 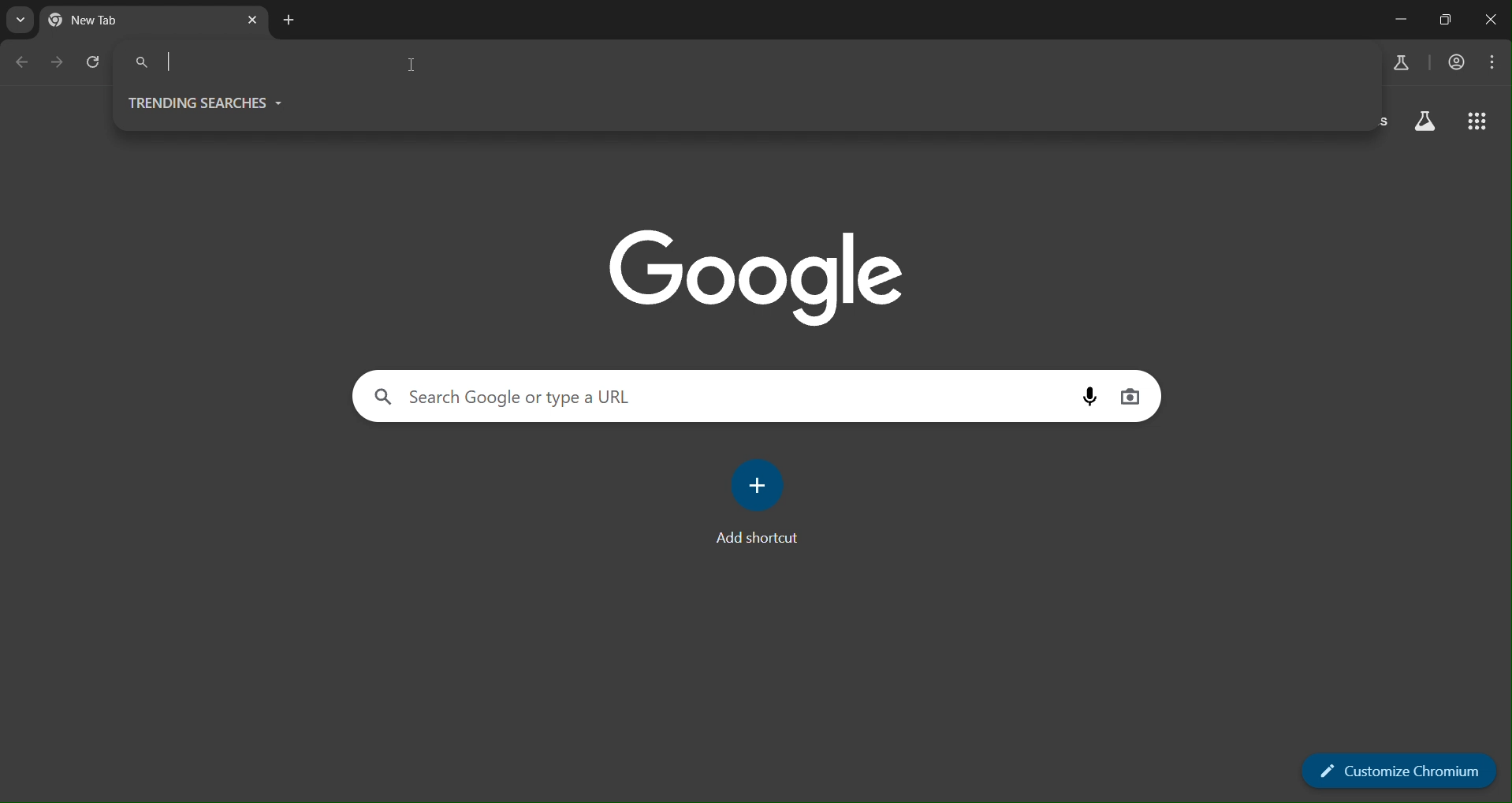 What do you see at coordinates (211, 103) in the screenshot?
I see `trending searches` at bounding box center [211, 103].